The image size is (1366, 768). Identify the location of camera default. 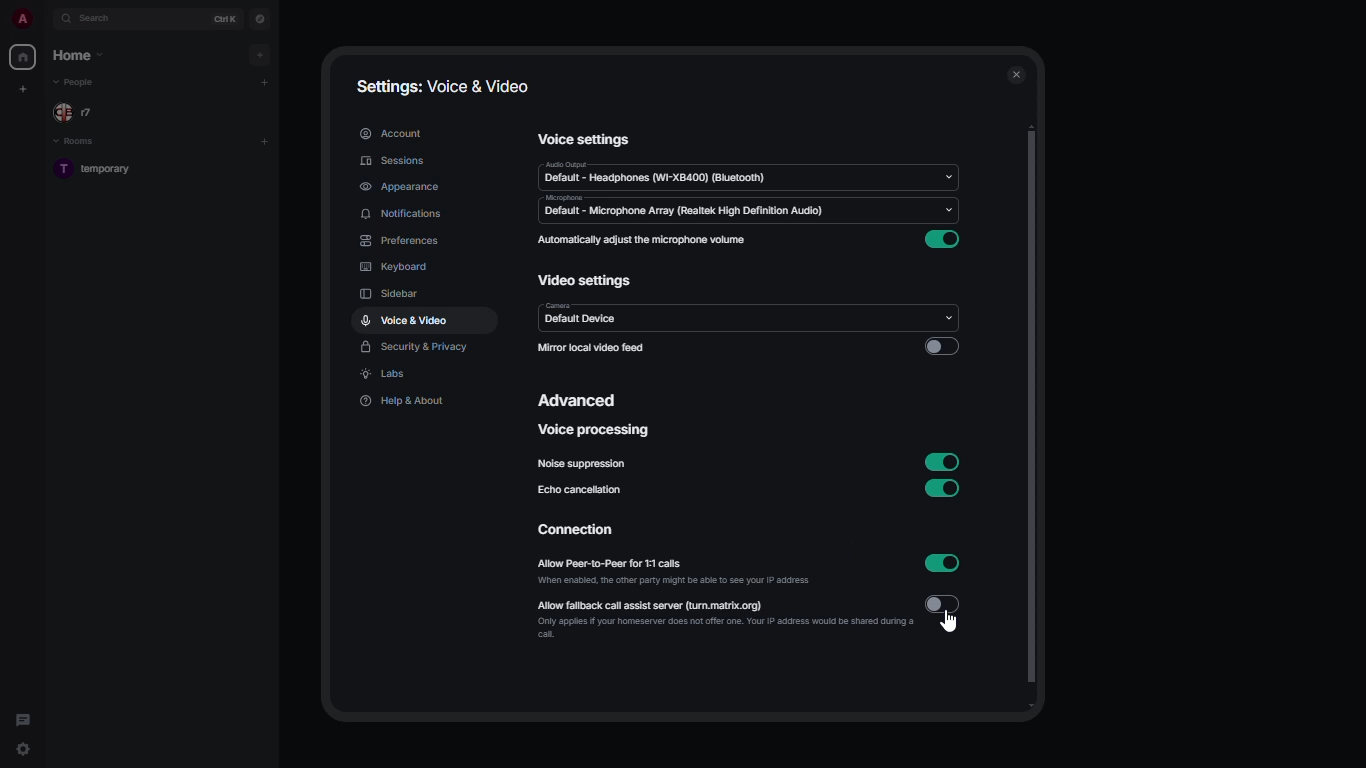
(580, 317).